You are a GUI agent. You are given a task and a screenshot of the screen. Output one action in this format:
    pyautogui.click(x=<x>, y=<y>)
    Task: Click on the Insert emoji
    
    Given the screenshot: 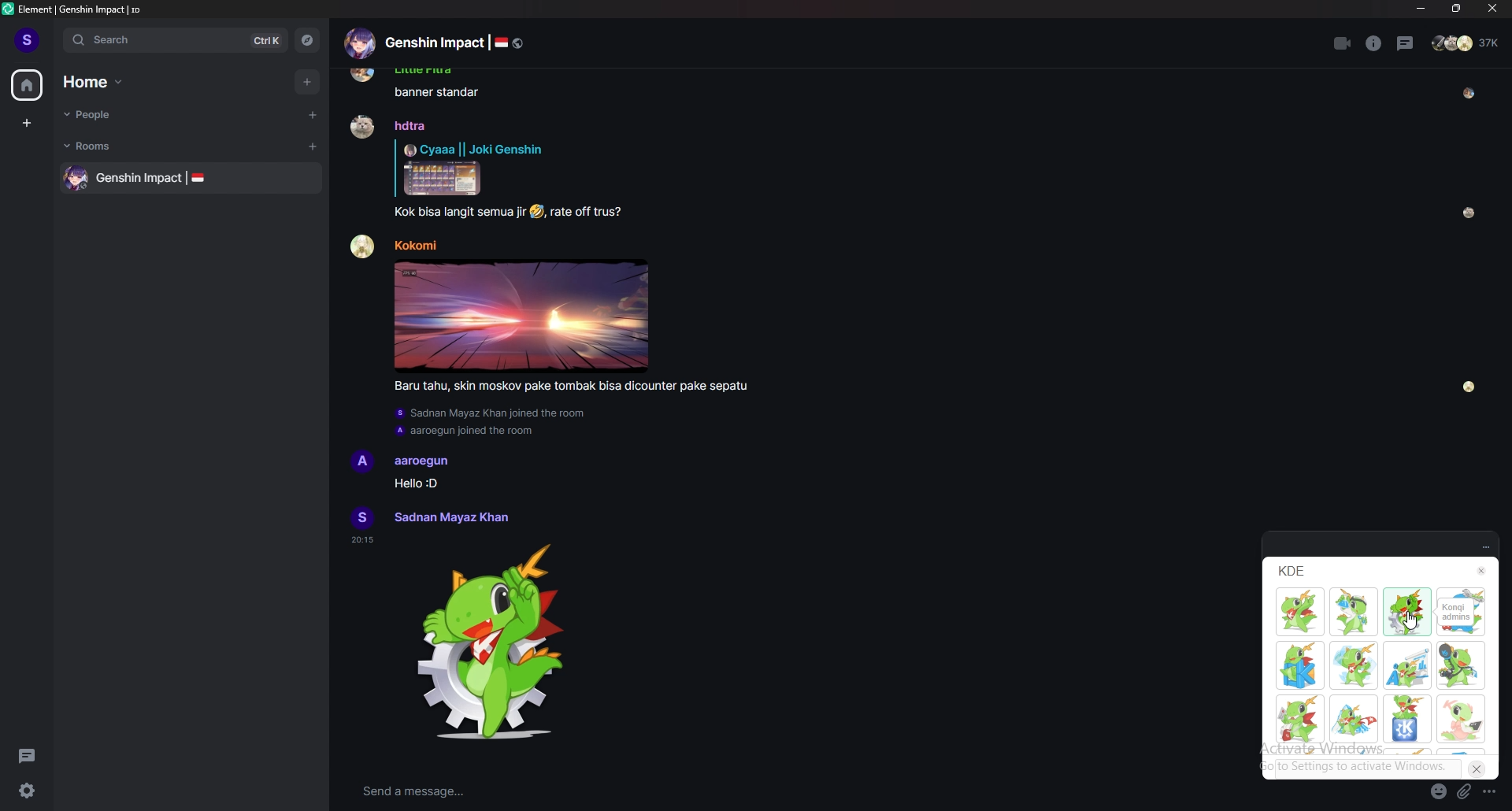 What is the action you would take?
    pyautogui.click(x=1439, y=791)
    